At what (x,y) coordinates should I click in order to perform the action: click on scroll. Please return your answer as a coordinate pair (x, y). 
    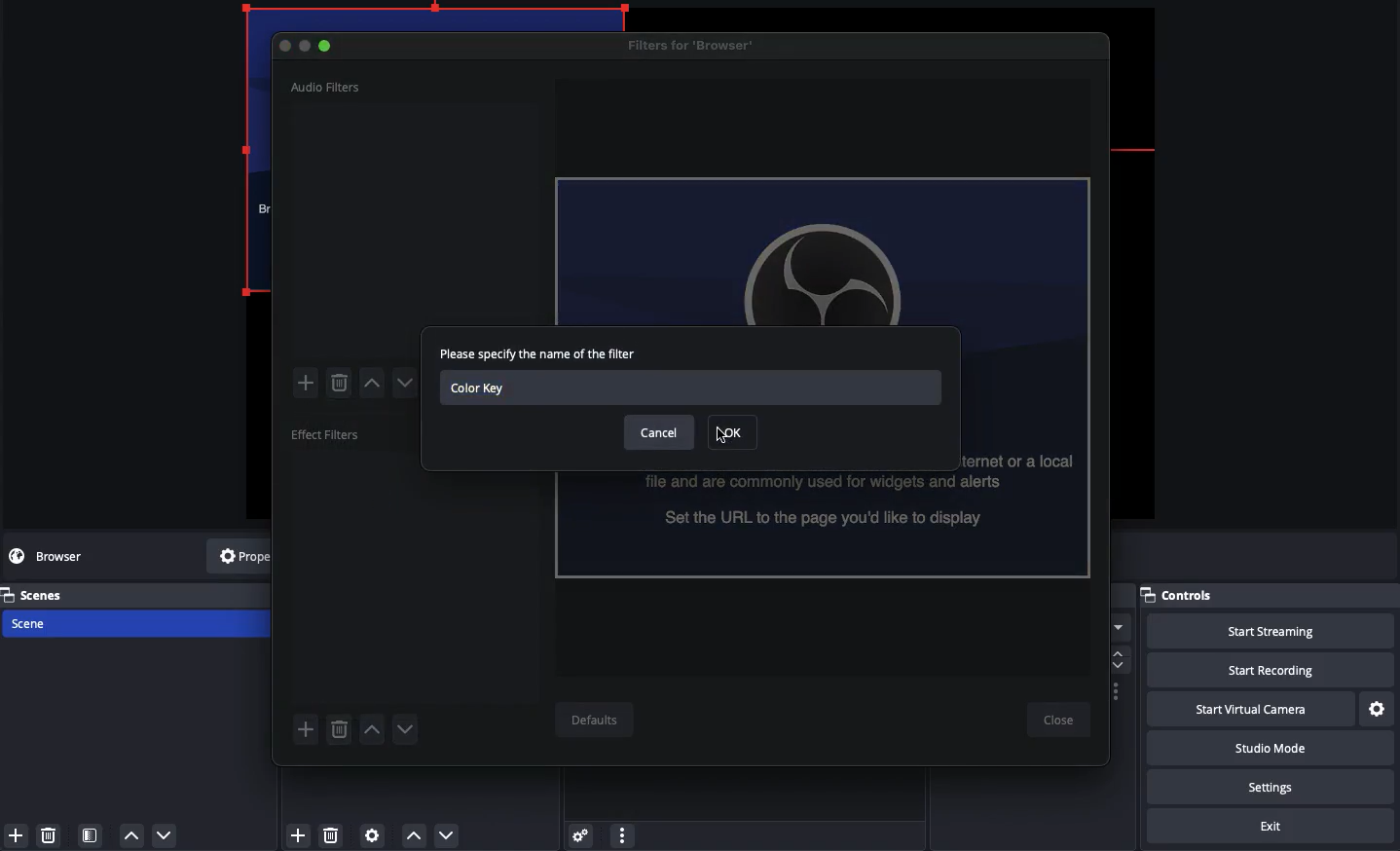
    Looking at the image, I should click on (1123, 656).